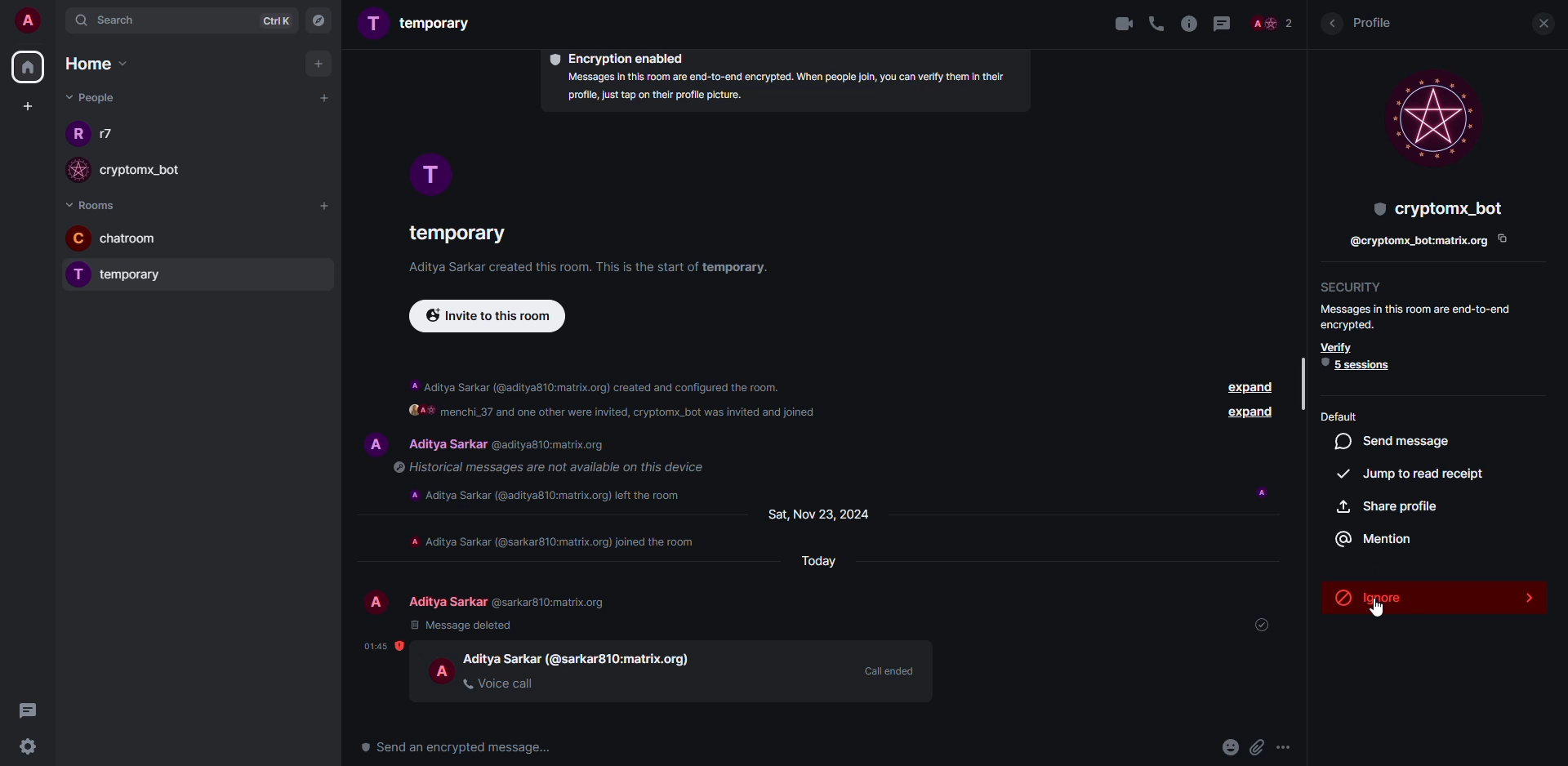 The height and width of the screenshot is (766, 1568). Describe the element at coordinates (1340, 416) in the screenshot. I see `default` at that location.